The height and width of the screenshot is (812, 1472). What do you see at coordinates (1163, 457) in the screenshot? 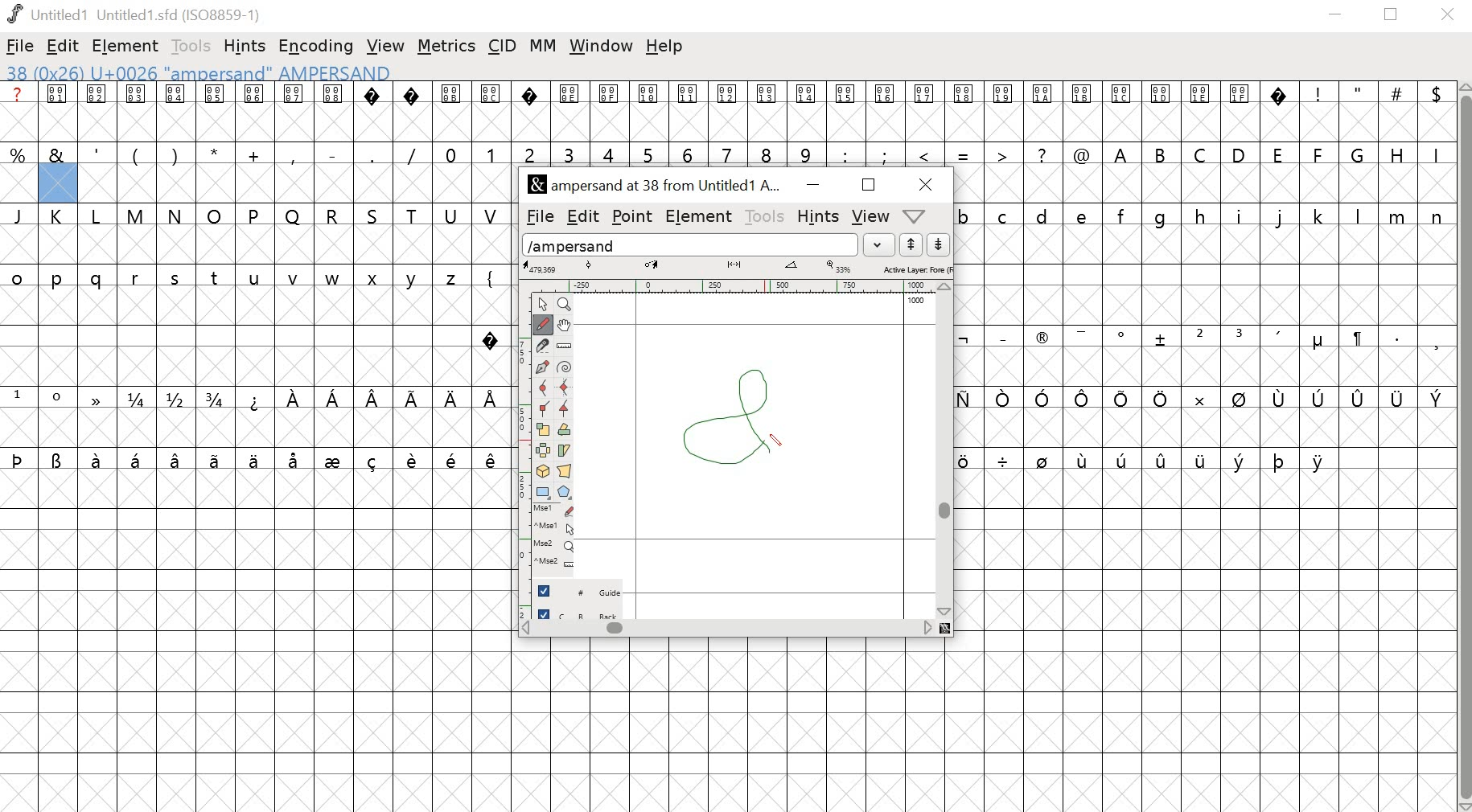
I see `symbol` at bounding box center [1163, 457].